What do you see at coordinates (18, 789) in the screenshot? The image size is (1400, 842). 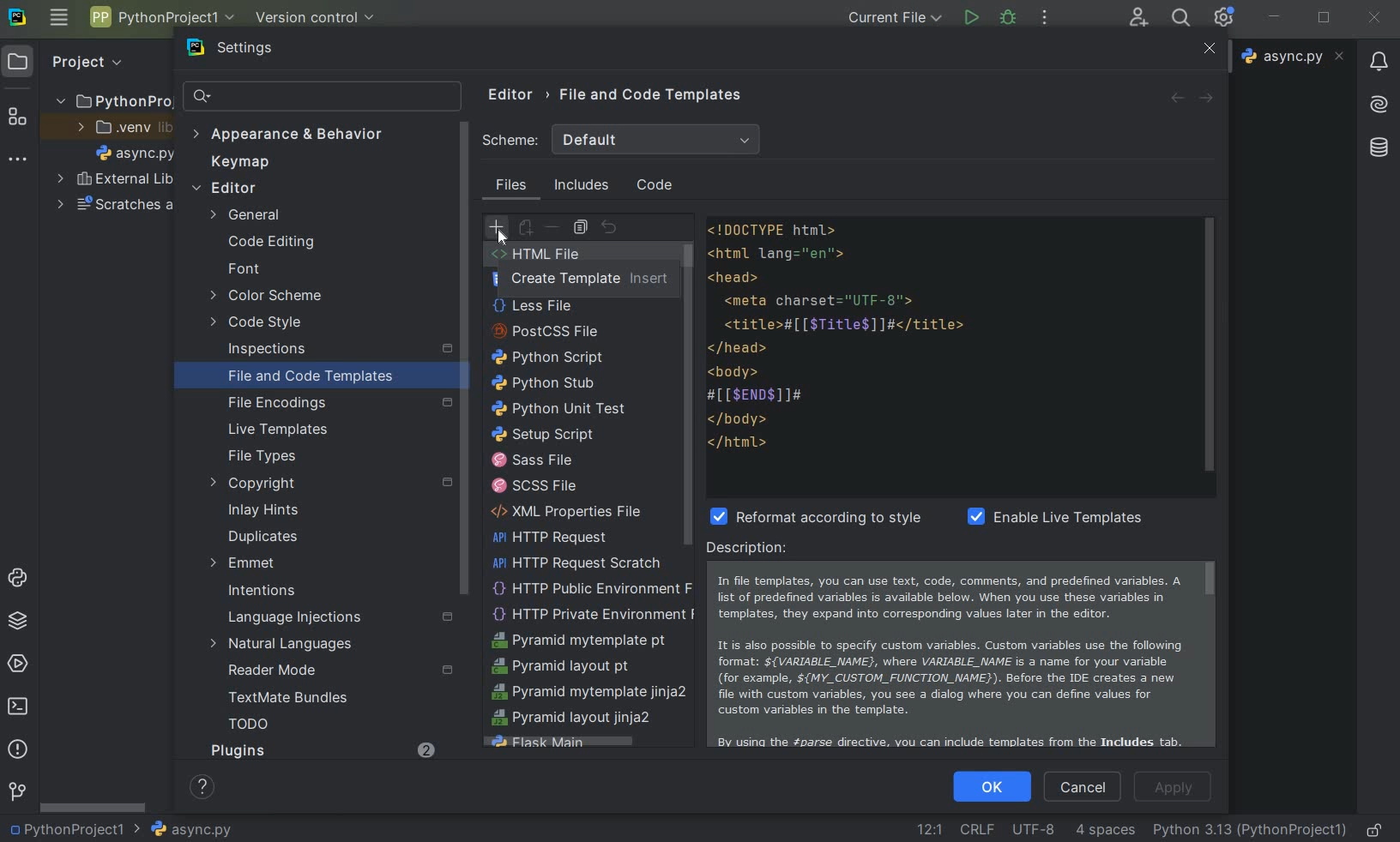 I see `version control` at bounding box center [18, 789].